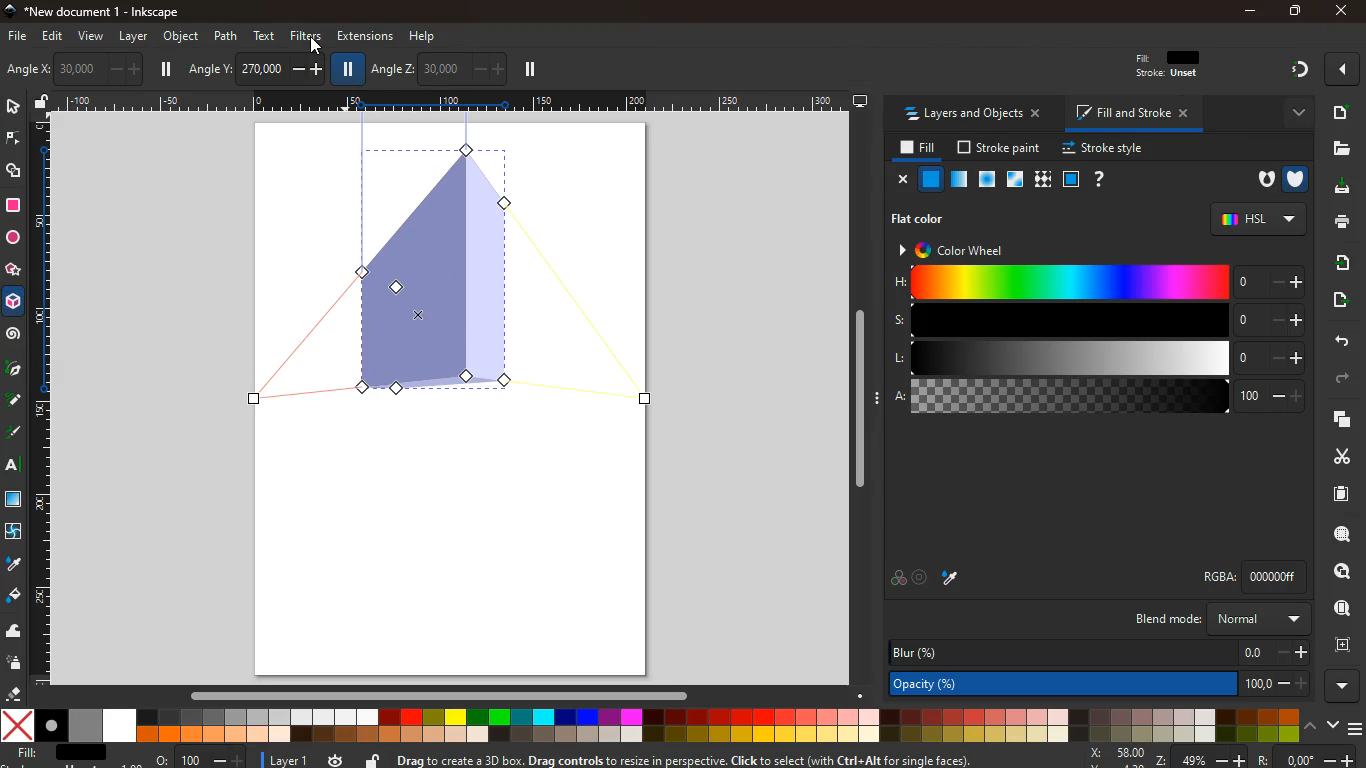 Image resolution: width=1366 pixels, height=768 pixels. What do you see at coordinates (924, 218) in the screenshot?
I see `flat color` at bounding box center [924, 218].